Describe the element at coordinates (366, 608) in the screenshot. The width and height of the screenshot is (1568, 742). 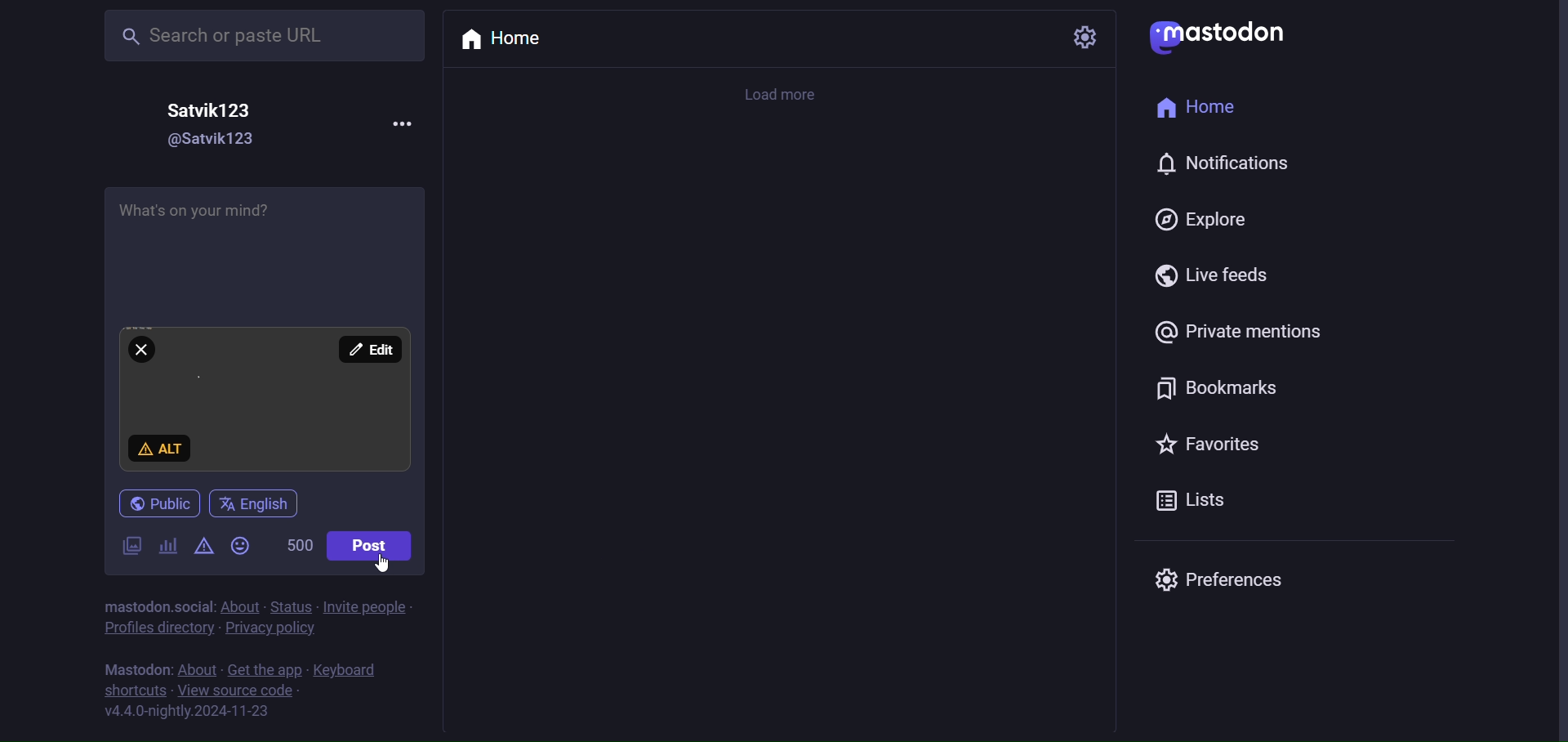
I see `invite people` at that location.